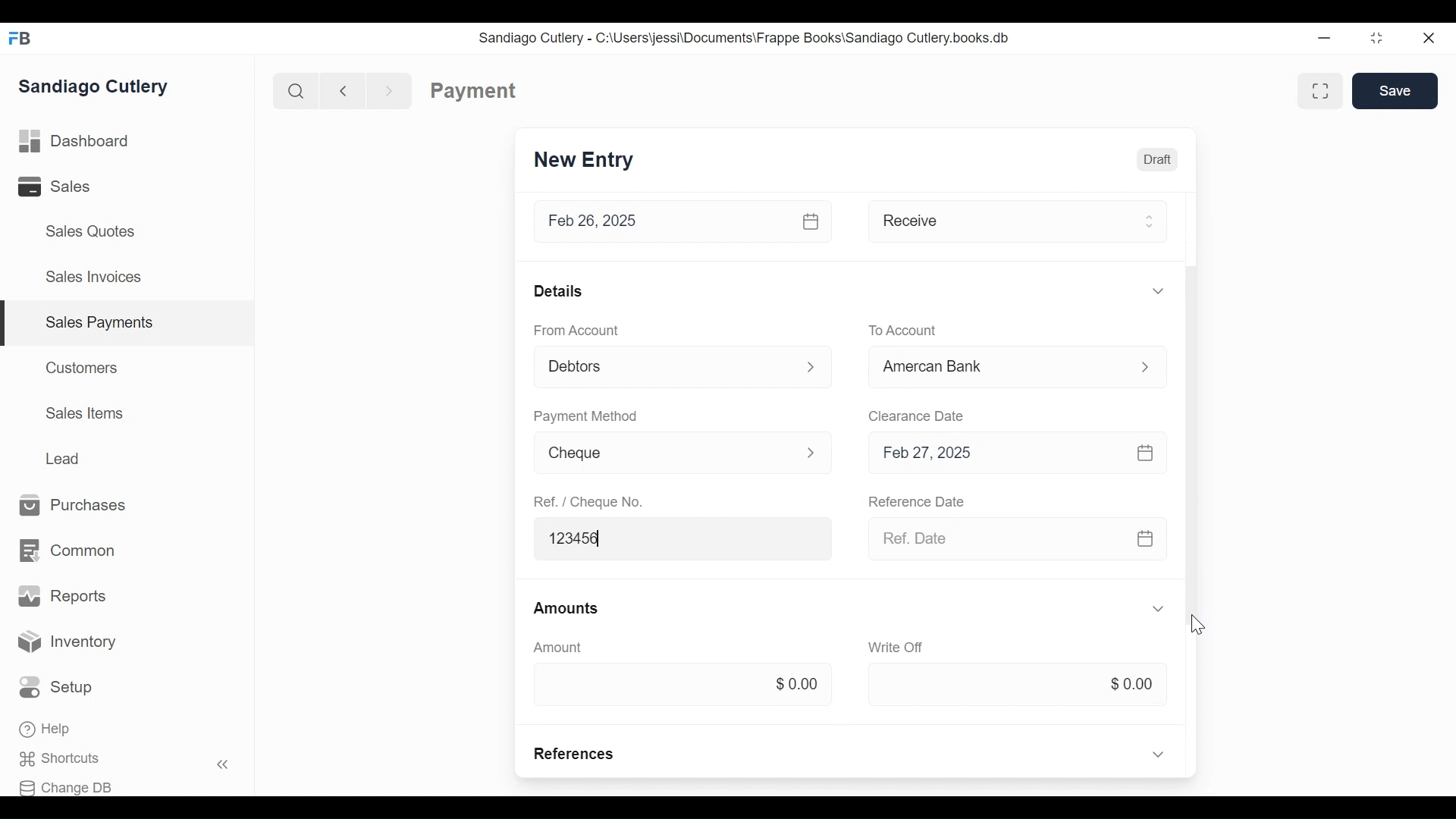  I want to click on Amount, so click(558, 647).